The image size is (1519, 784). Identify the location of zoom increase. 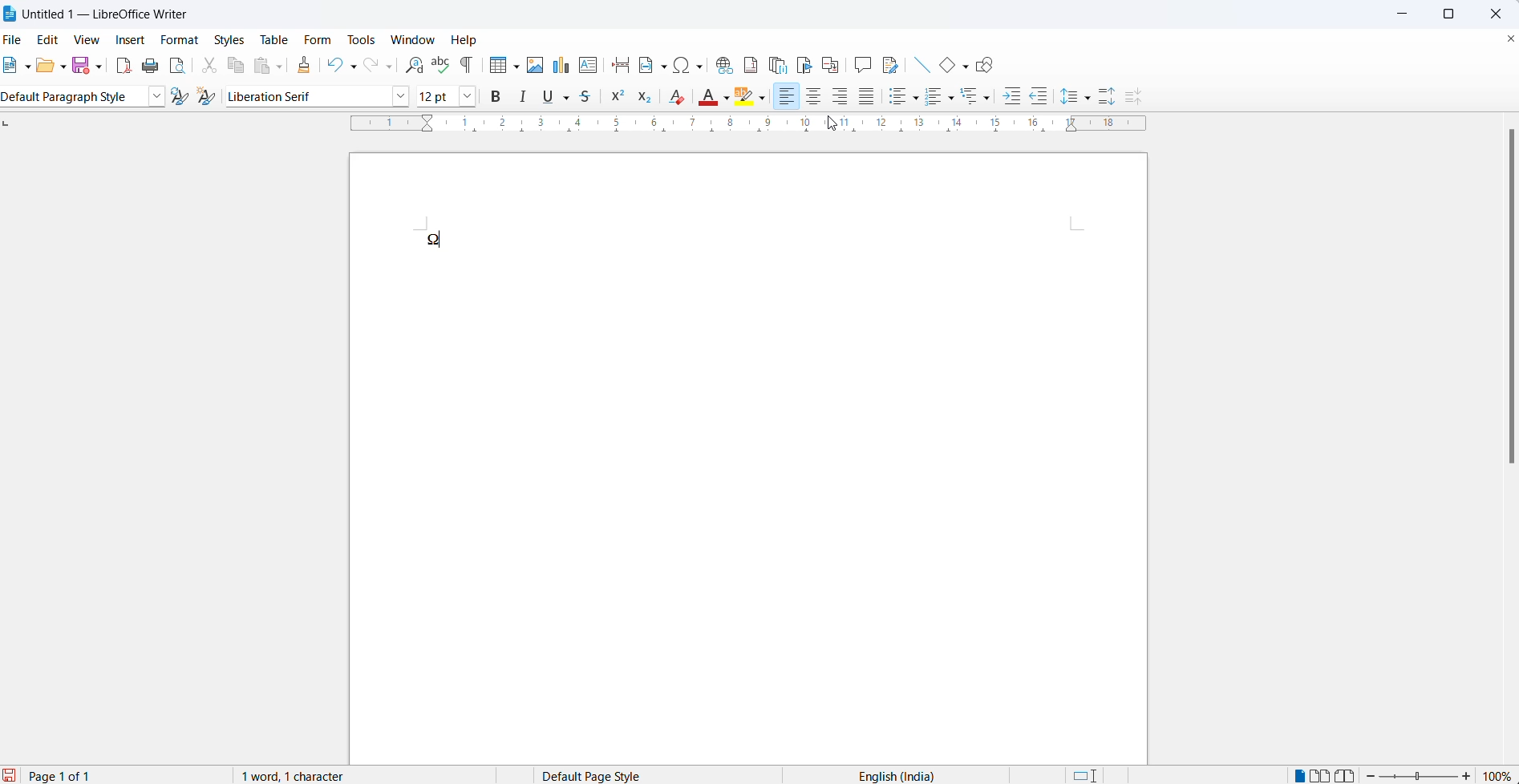
(1470, 776).